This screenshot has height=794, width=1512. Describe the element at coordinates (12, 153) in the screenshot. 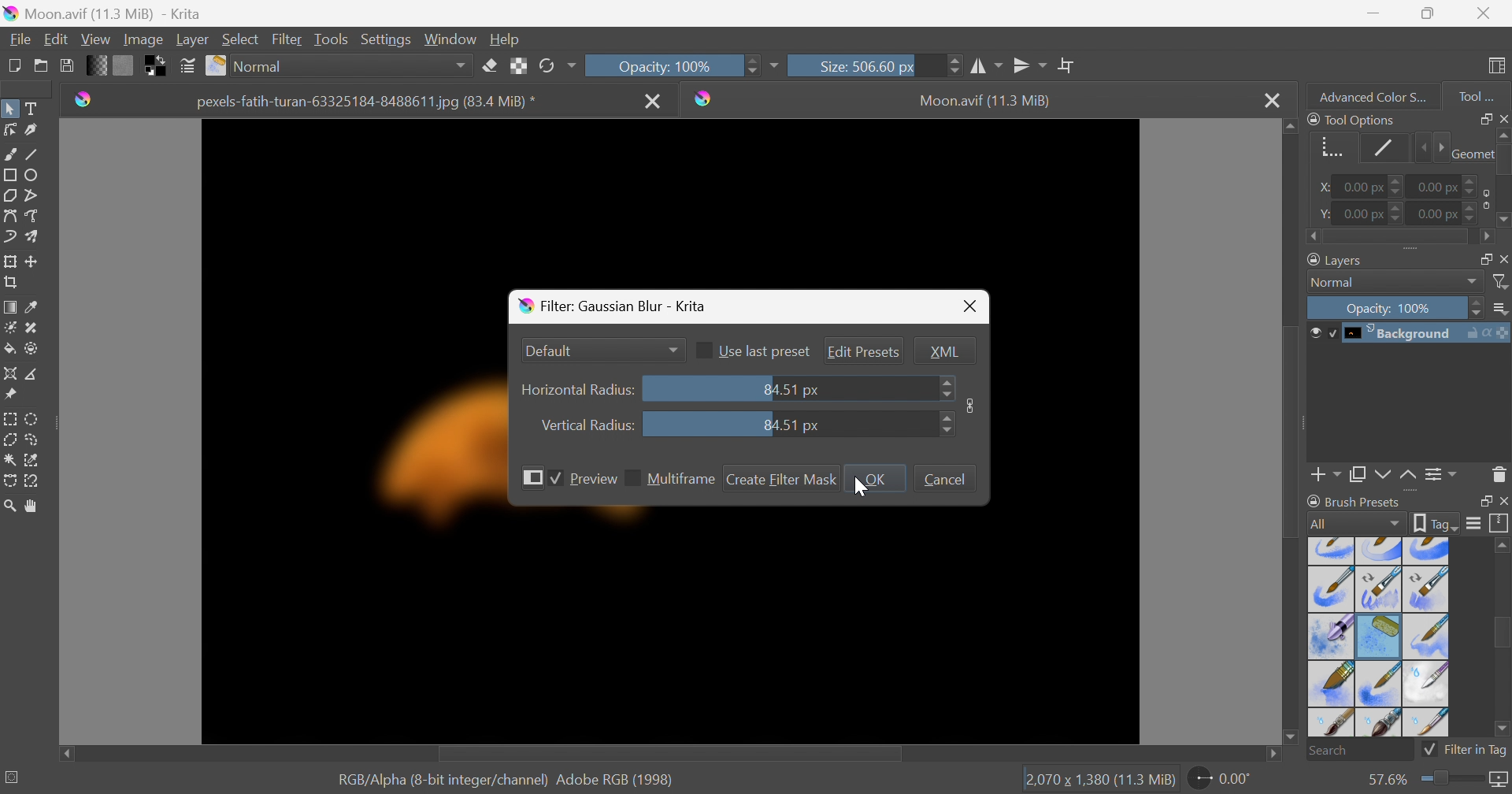

I see `Freehand brush tool` at that location.